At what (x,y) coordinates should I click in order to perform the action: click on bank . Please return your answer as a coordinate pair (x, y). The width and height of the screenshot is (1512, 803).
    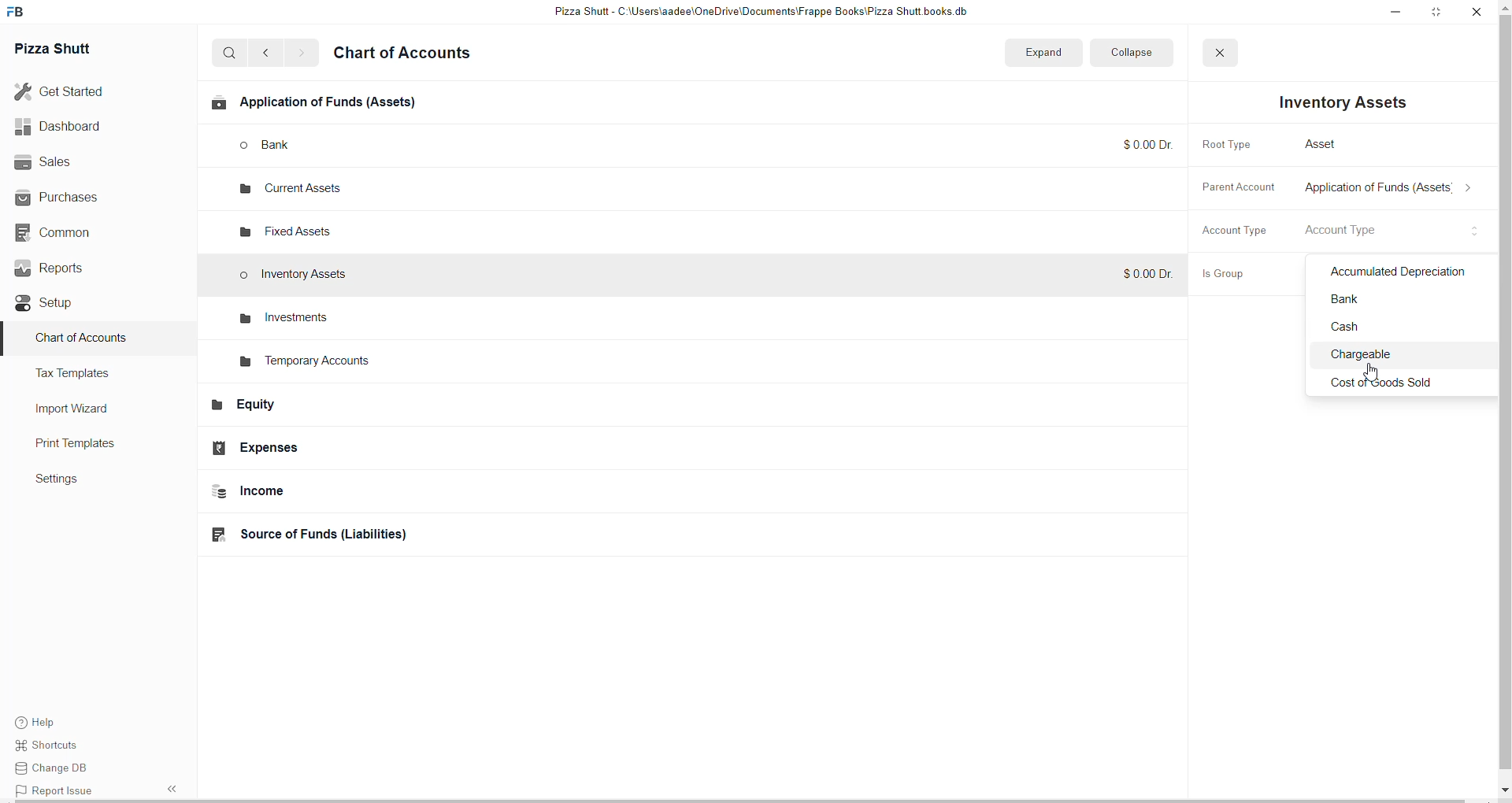
    Looking at the image, I should click on (290, 146).